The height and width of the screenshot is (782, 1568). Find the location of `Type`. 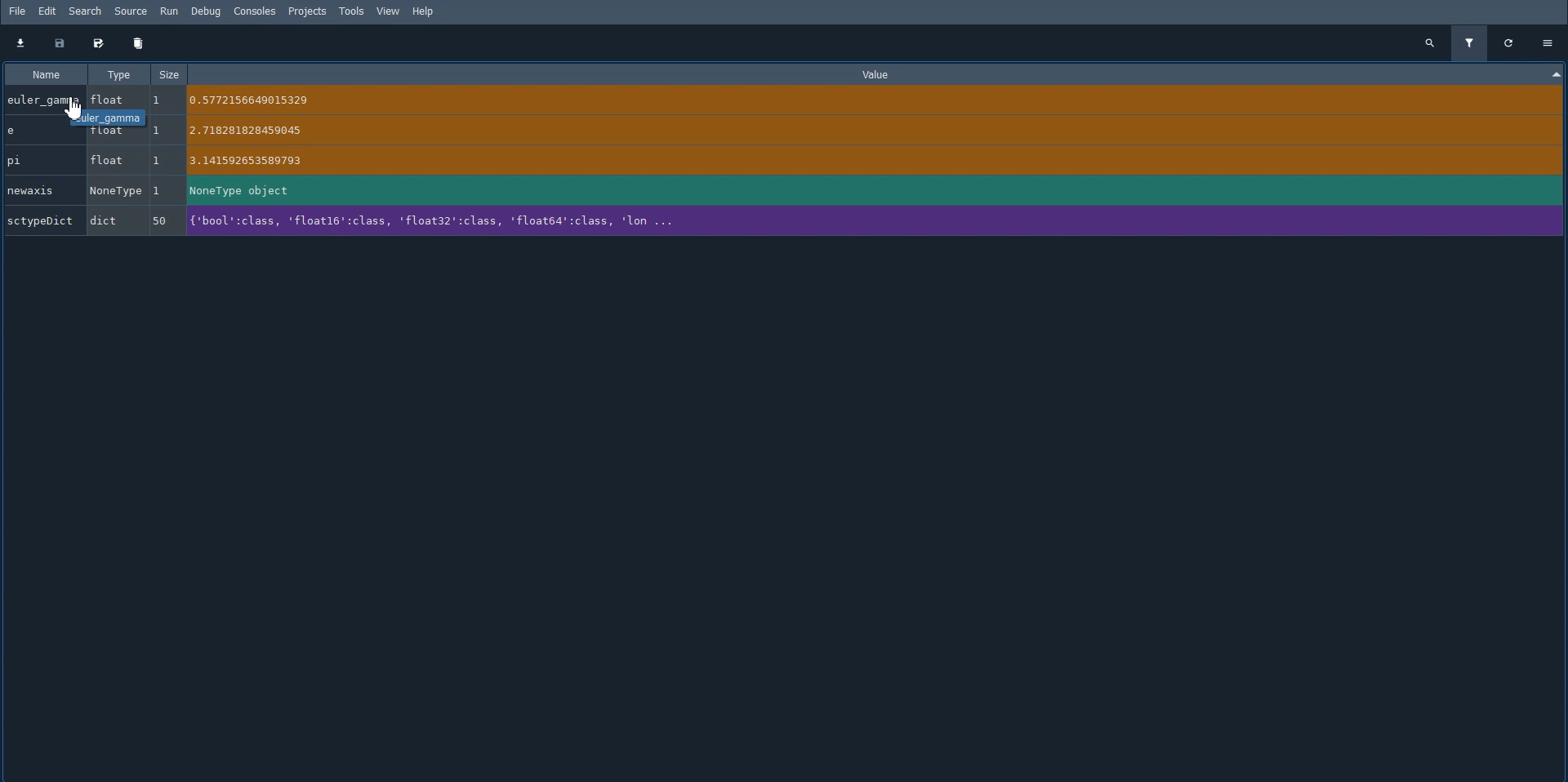

Type is located at coordinates (119, 74).